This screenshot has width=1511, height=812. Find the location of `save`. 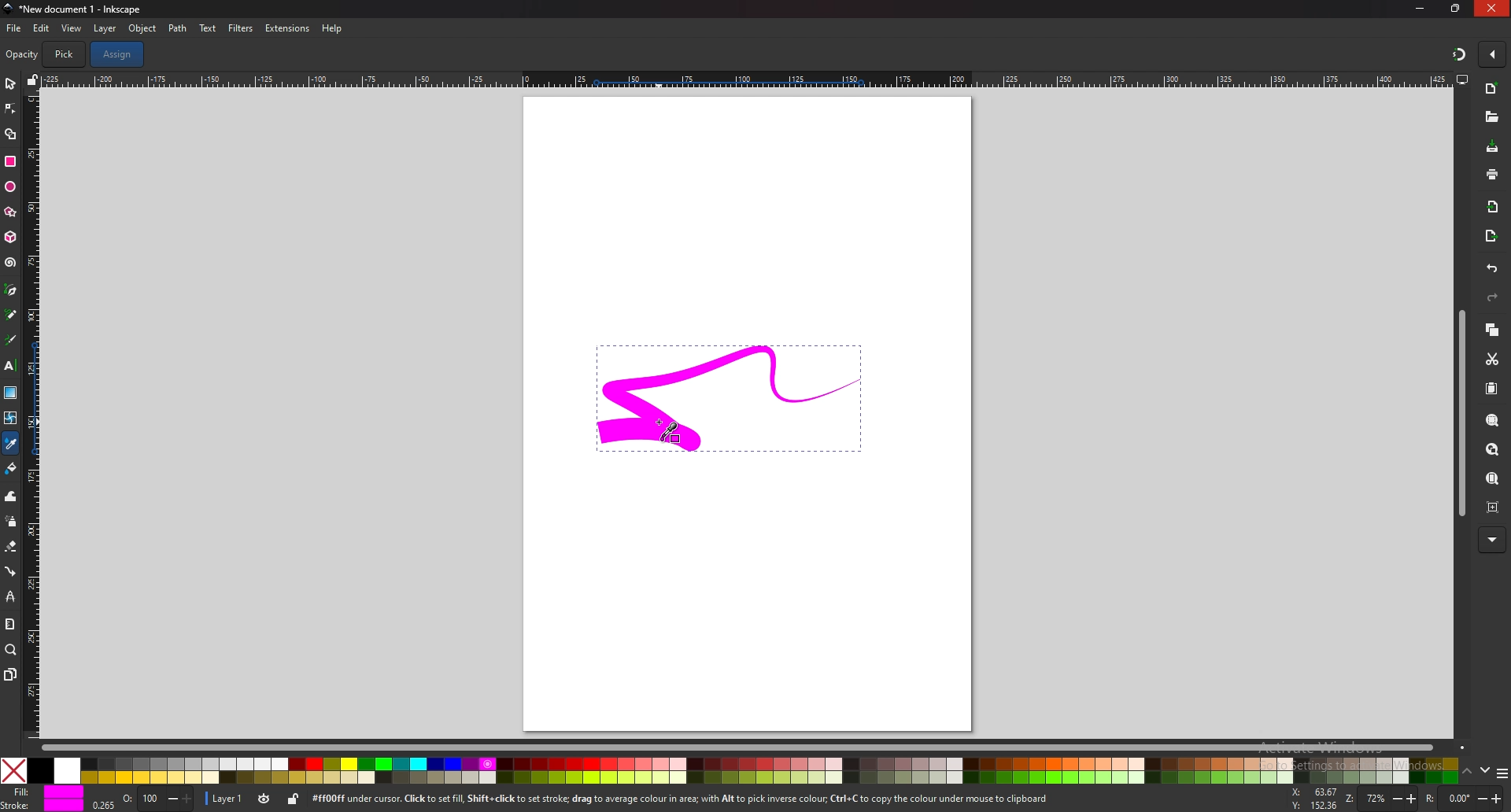

save is located at coordinates (1489, 146).